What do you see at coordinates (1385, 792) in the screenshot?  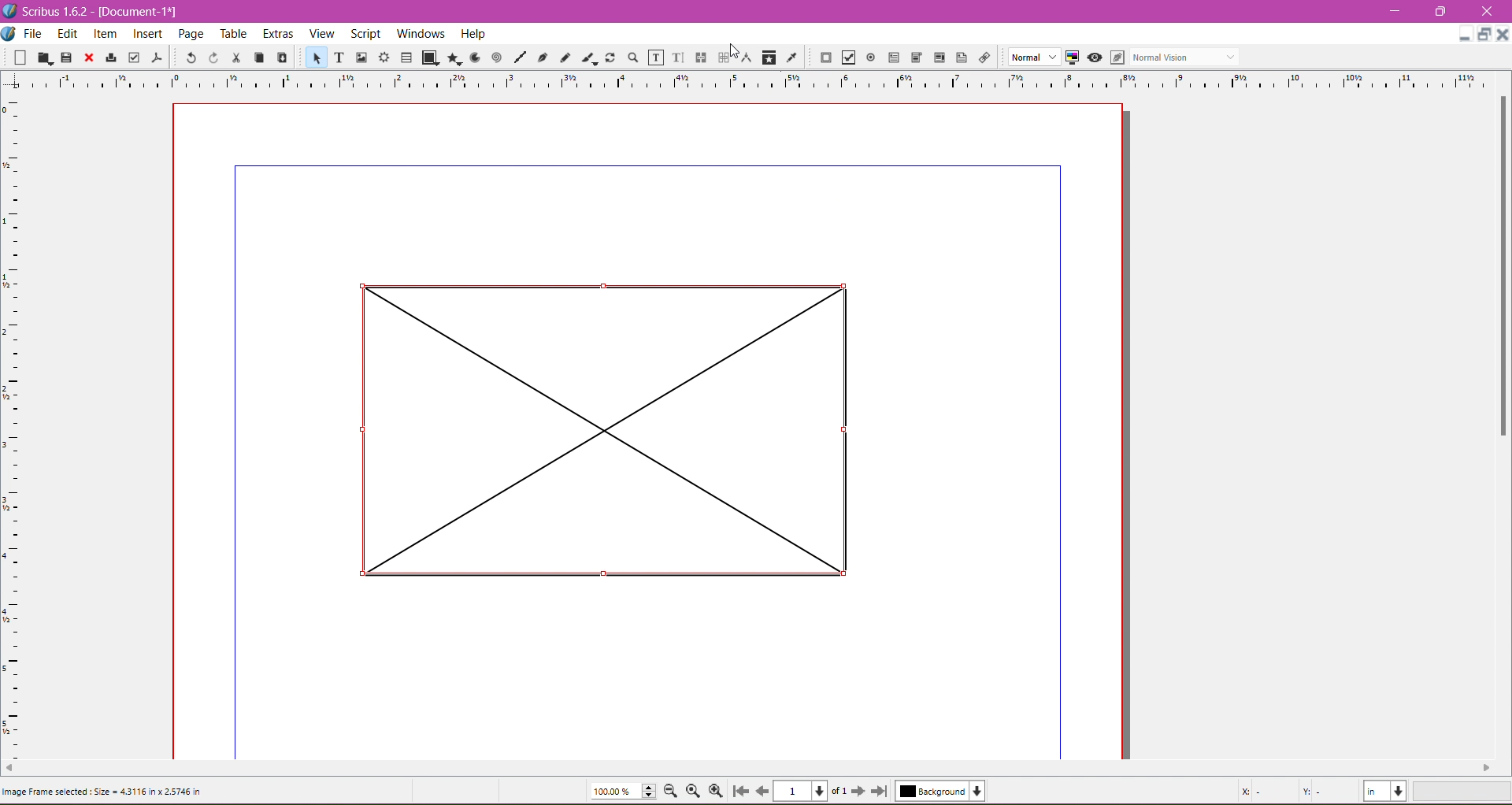 I see `Select the current unit` at bounding box center [1385, 792].